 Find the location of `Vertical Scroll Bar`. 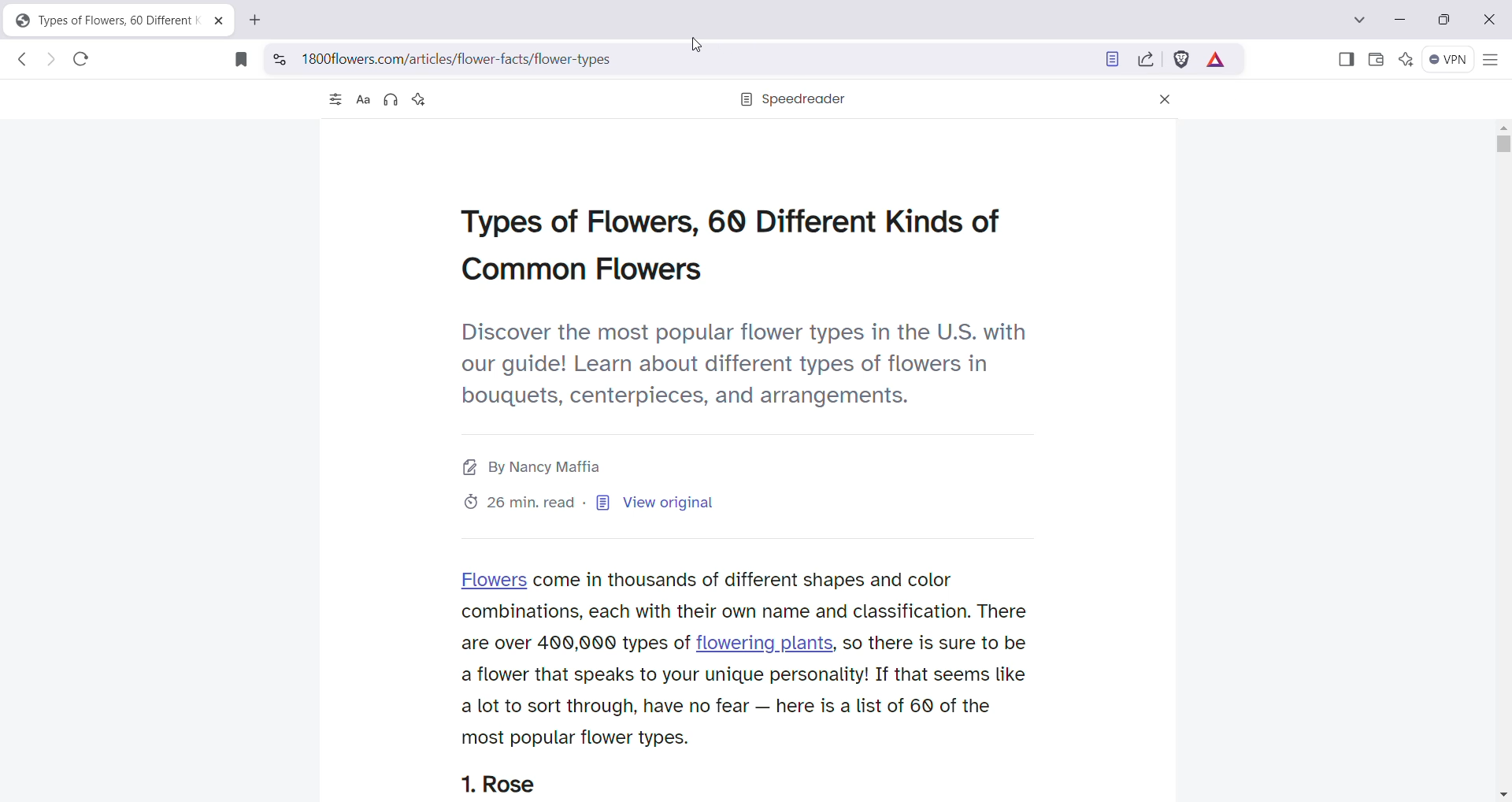

Vertical Scroll Bar is located at coordinates (1503, 459).